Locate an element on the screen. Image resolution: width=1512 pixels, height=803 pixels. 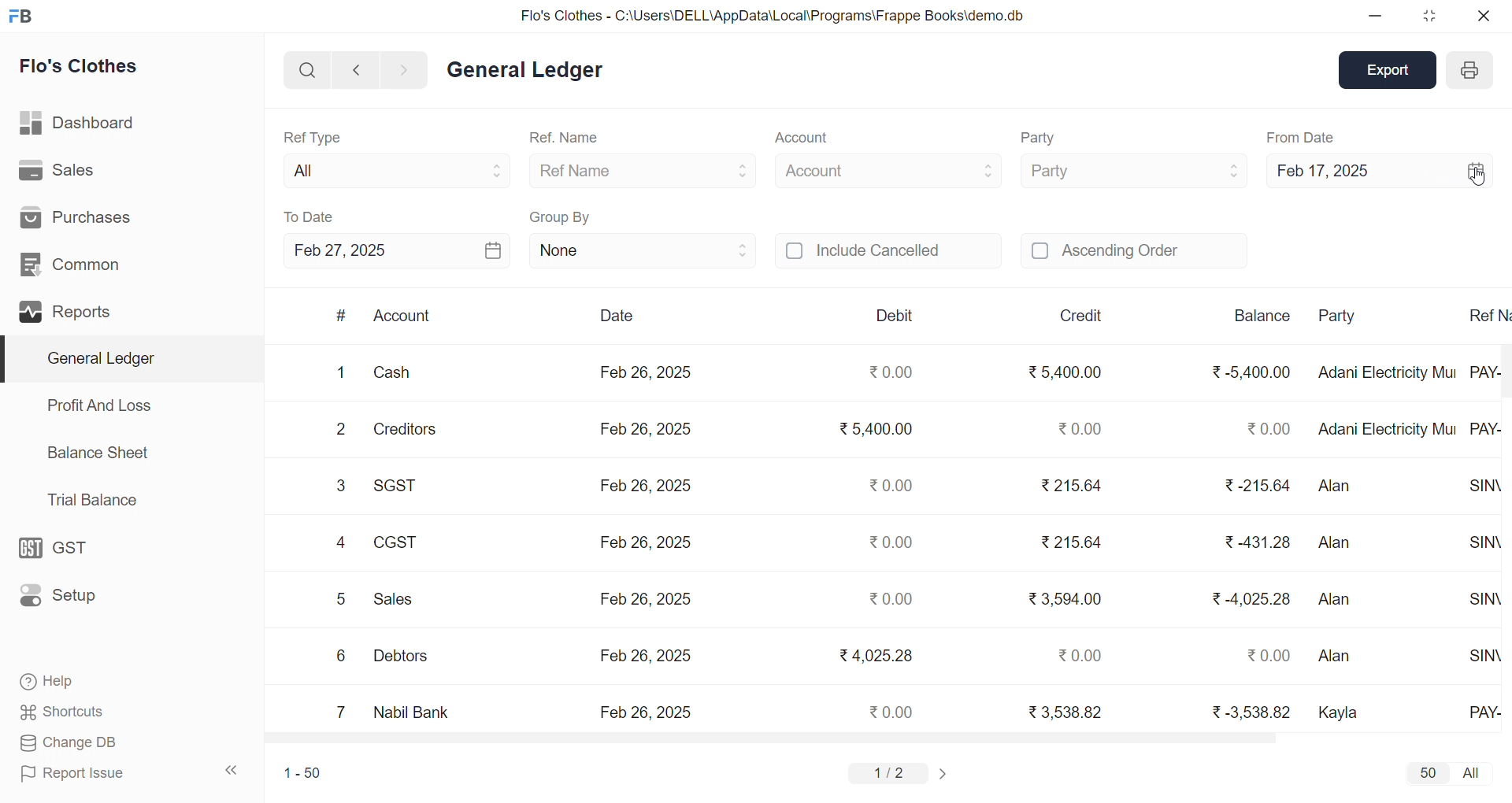
Feb 26, 2025 is located at coordinates (649, 487).